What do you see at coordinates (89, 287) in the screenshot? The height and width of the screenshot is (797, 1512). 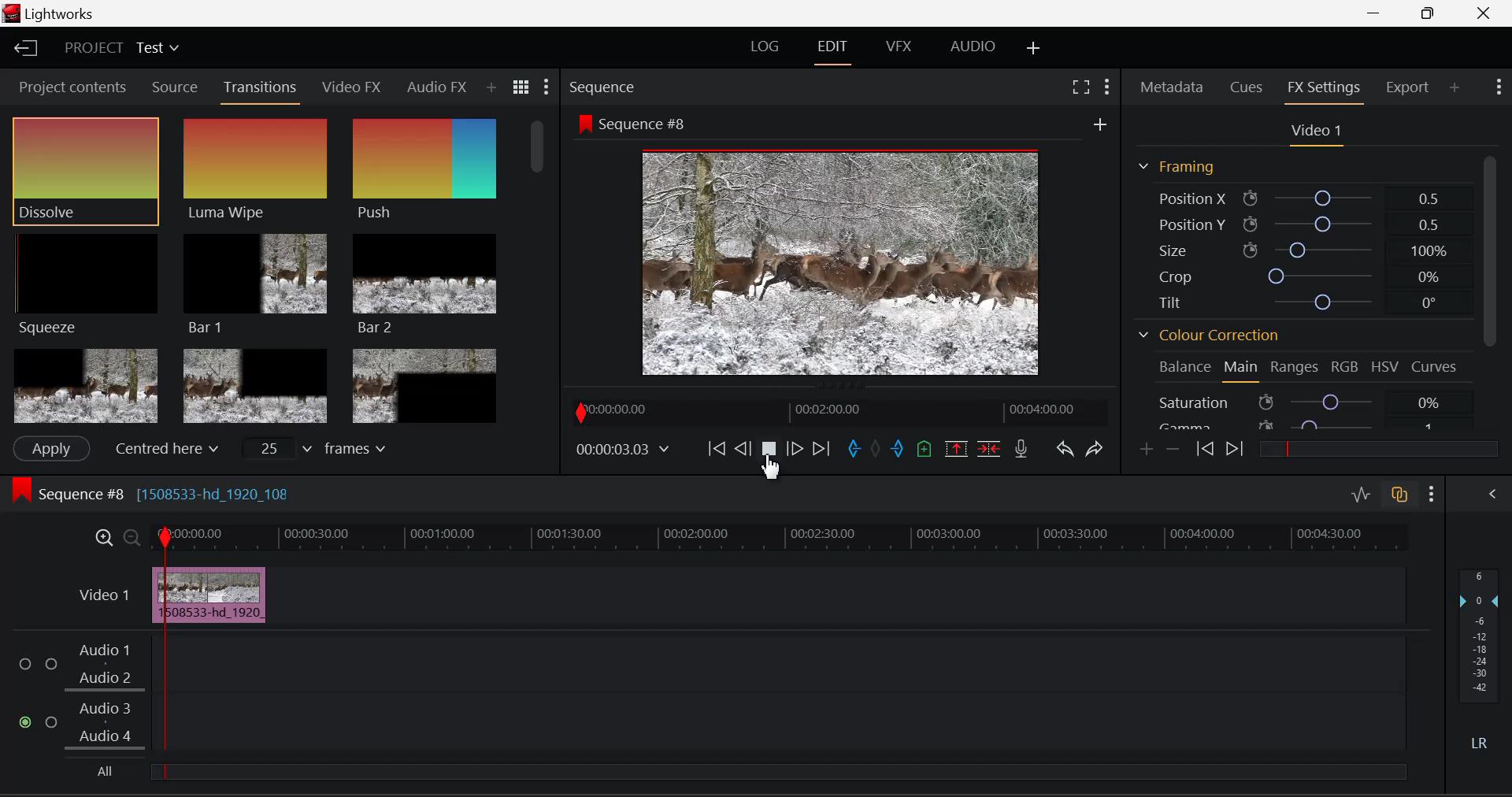 I see `Squeeze` at bounding box center [89, 287].